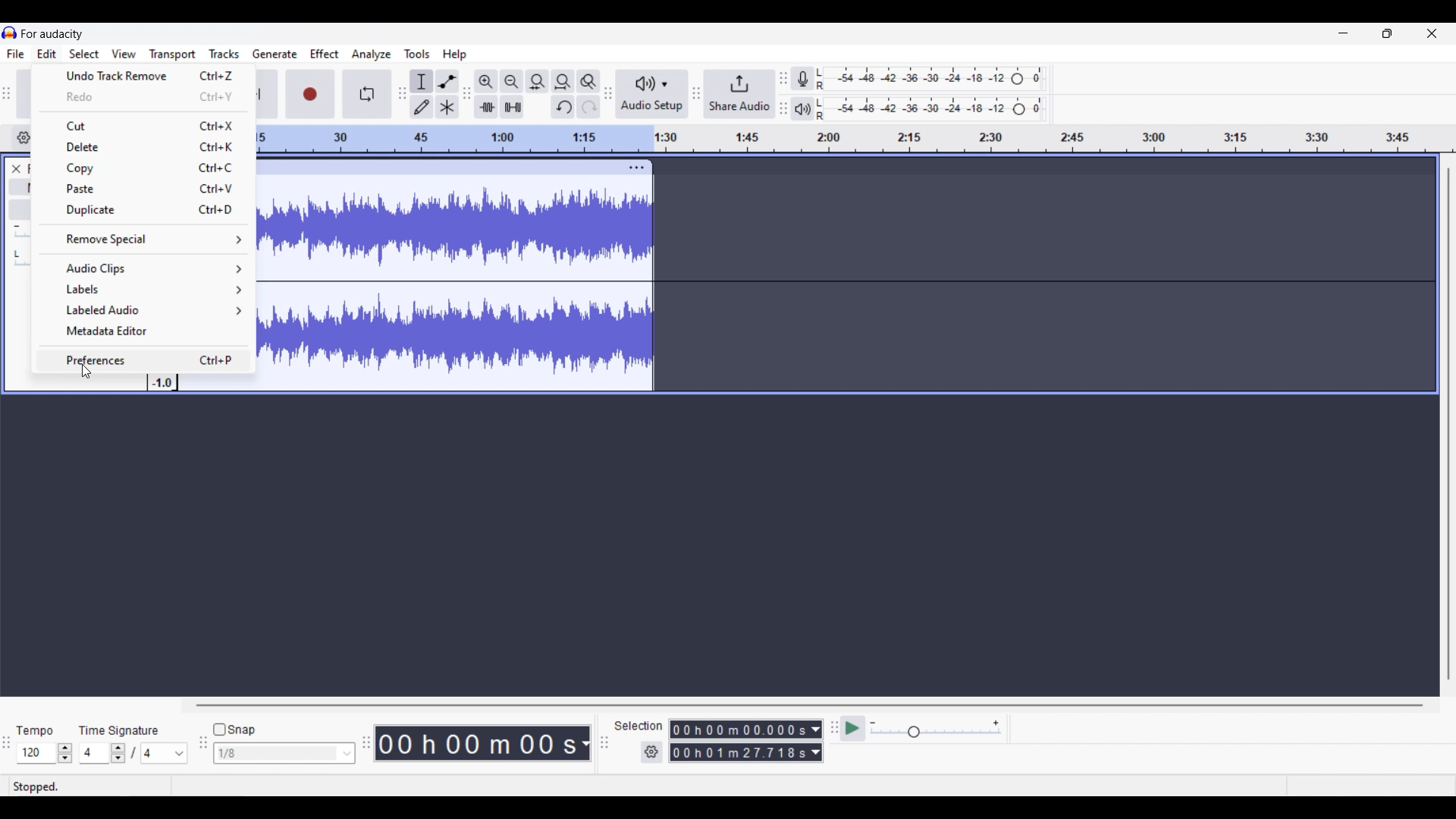  What do you see at coordinates (486, 107) in the screenshot?
I see `Trim audio outside selection` at bounding box center [486, 107].